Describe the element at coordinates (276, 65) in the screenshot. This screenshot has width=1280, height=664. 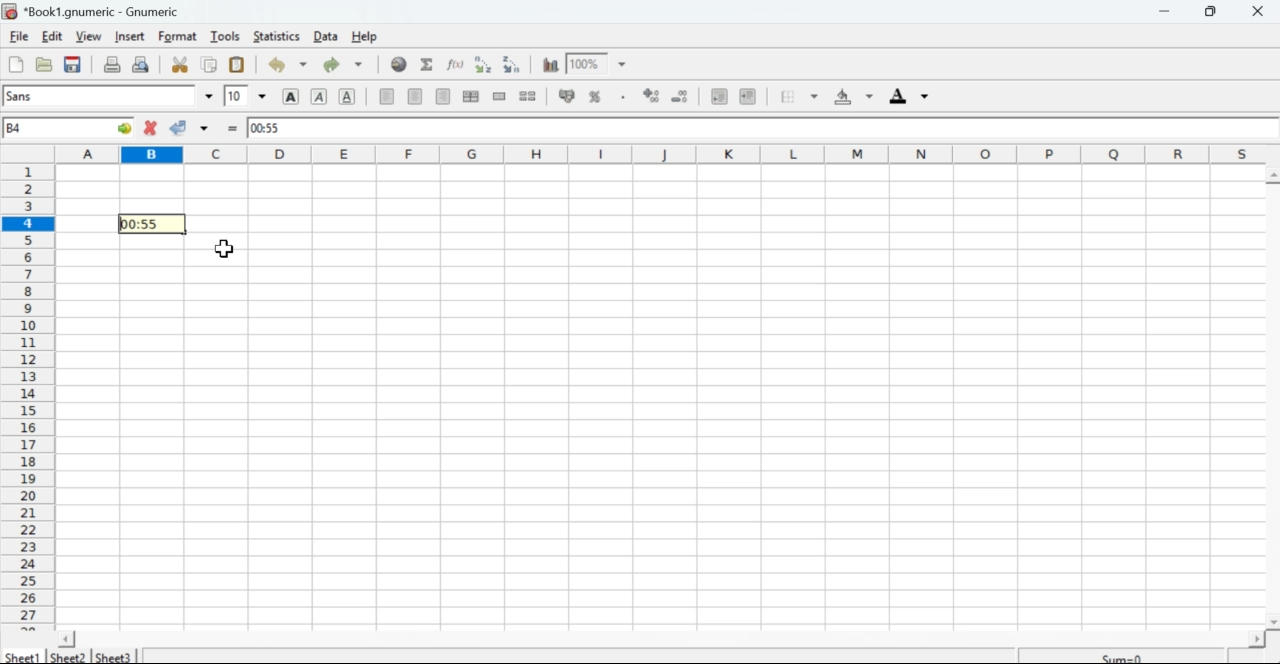
I see `Undo` at that location.